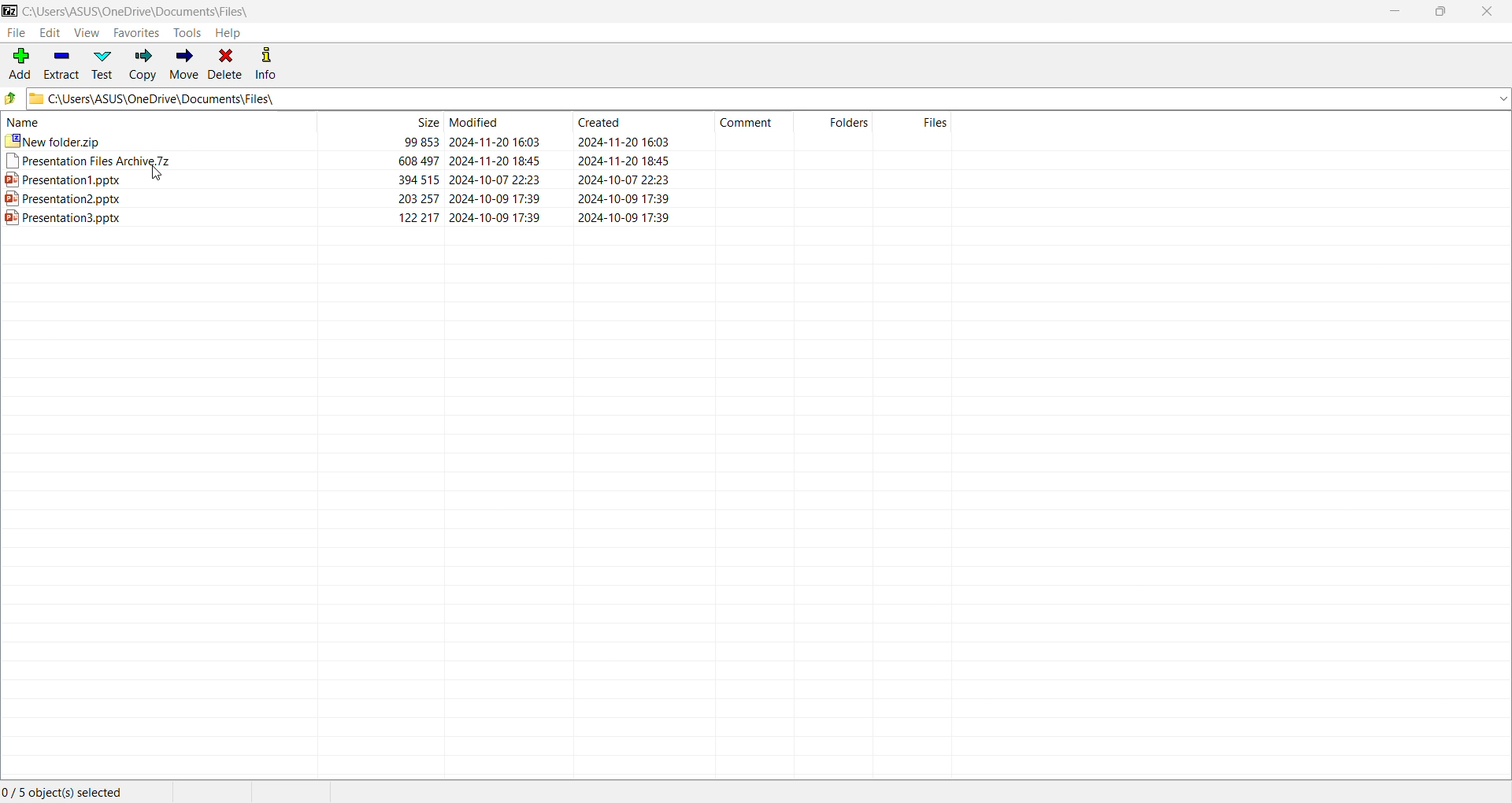 This screenshot has width=1512, height=803. I want to click on Copy, so click(141, 65).